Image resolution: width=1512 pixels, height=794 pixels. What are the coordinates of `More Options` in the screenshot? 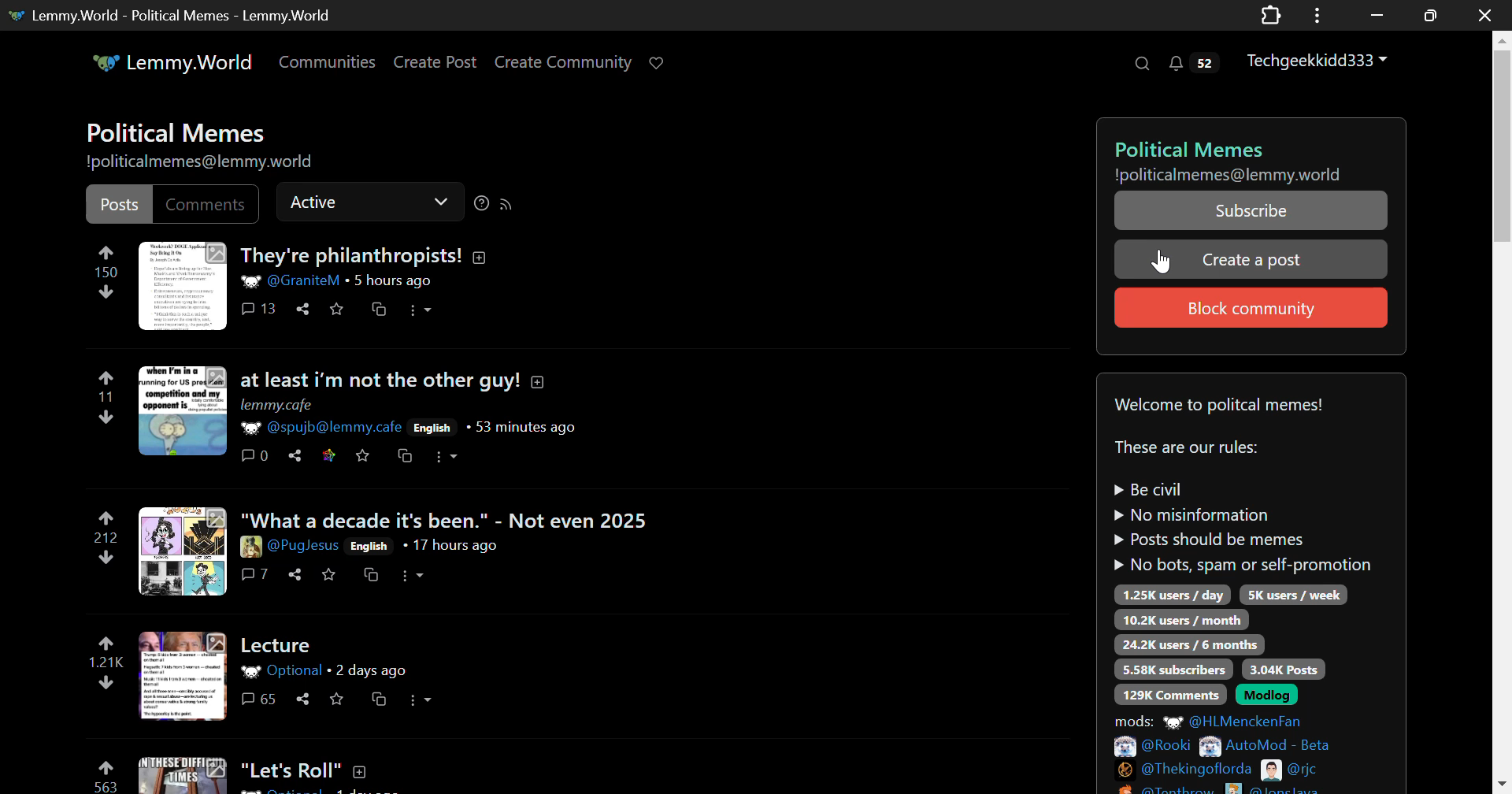 It's located at (446, 458).